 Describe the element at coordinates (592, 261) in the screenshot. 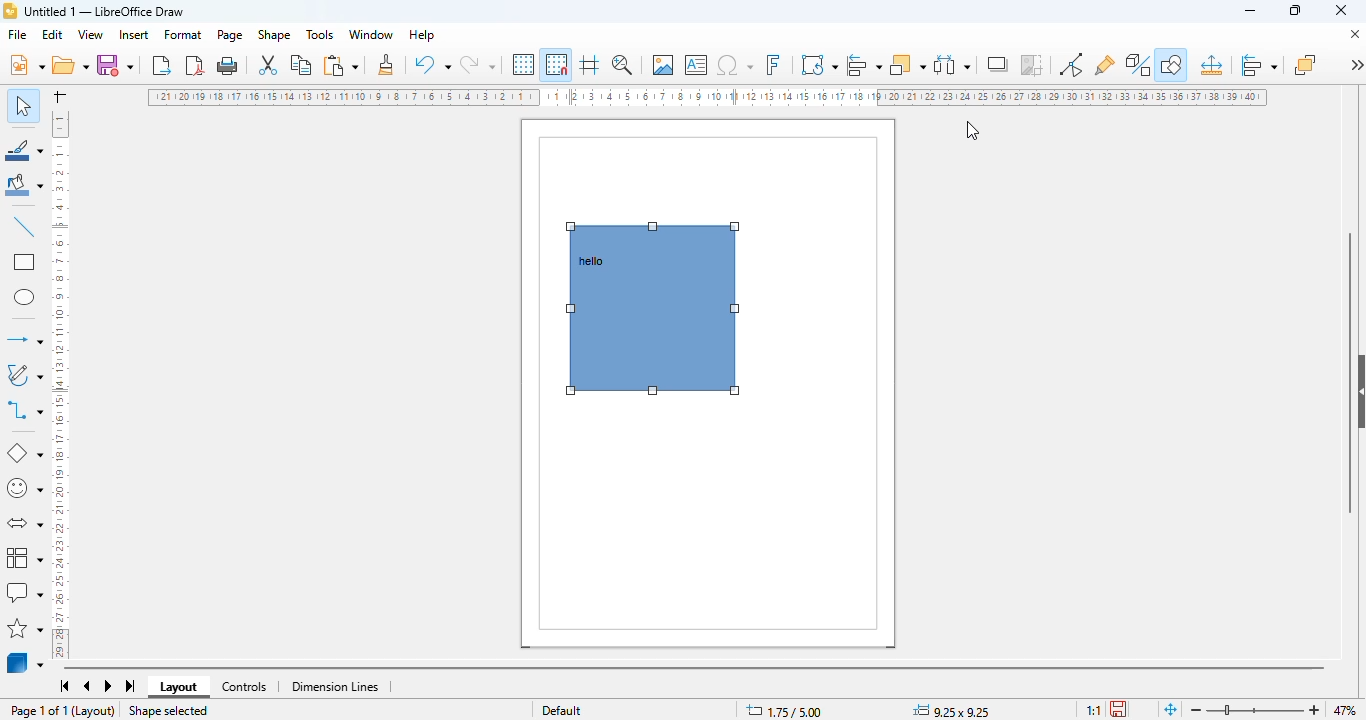

I see `text box object behind rectangle object aligned with "Arrange" tool` at that location.